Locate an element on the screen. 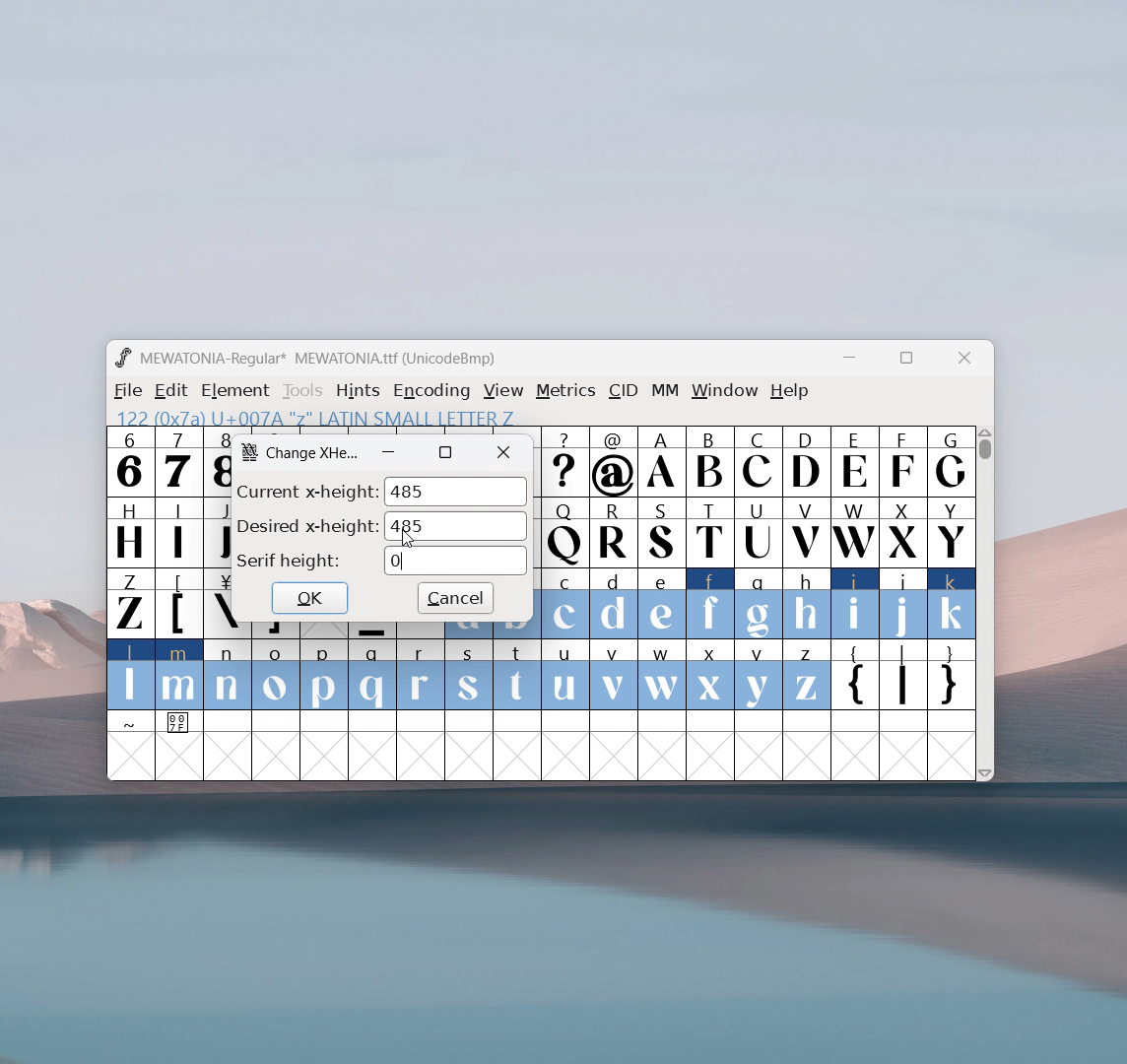 This screenshot has height=1064, width=1127. e is located at coordinates (662, 605).